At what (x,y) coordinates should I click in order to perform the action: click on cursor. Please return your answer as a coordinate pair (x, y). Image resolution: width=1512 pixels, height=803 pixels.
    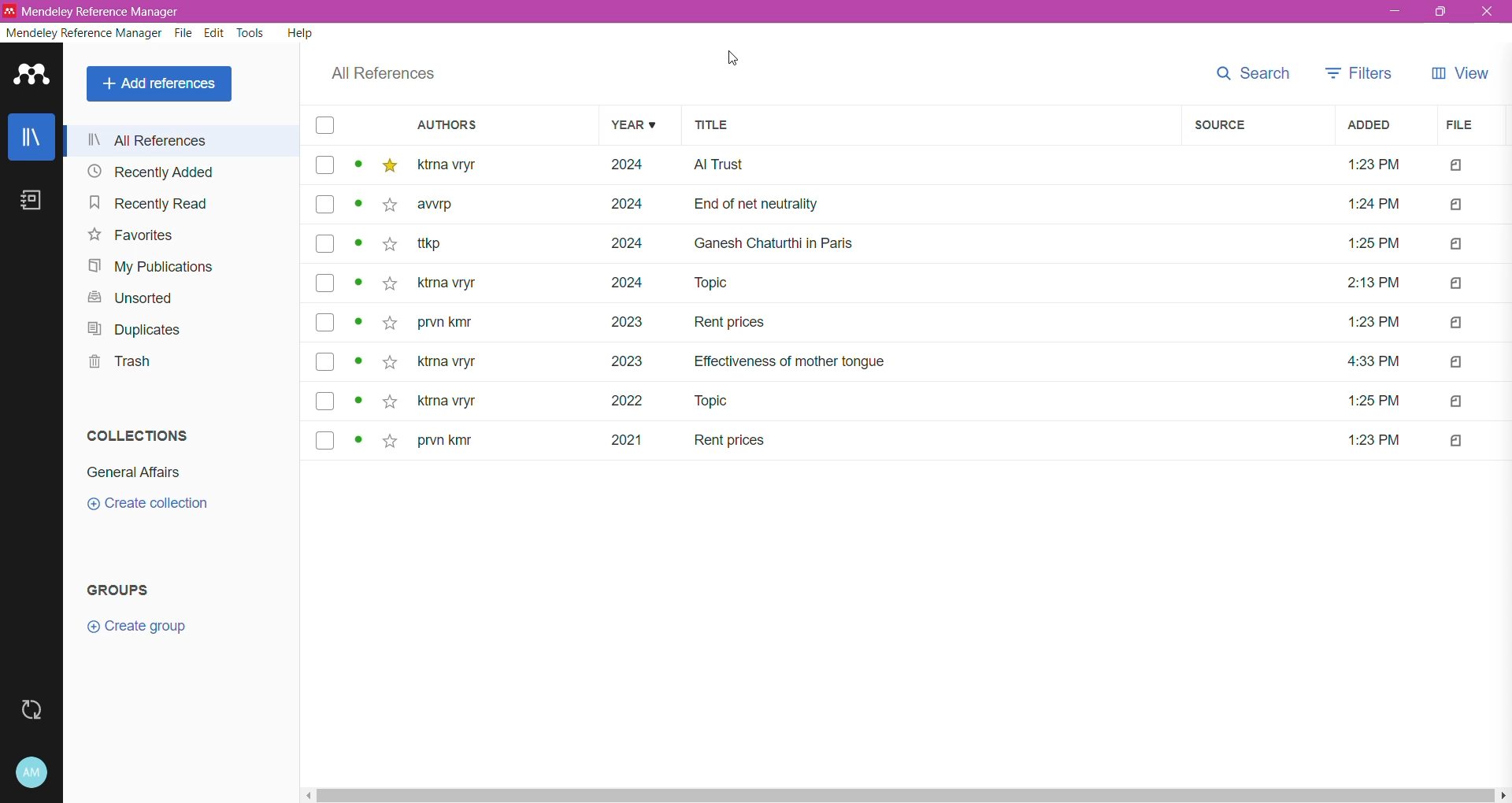
    Looking at the image, I should click on (732, 57).